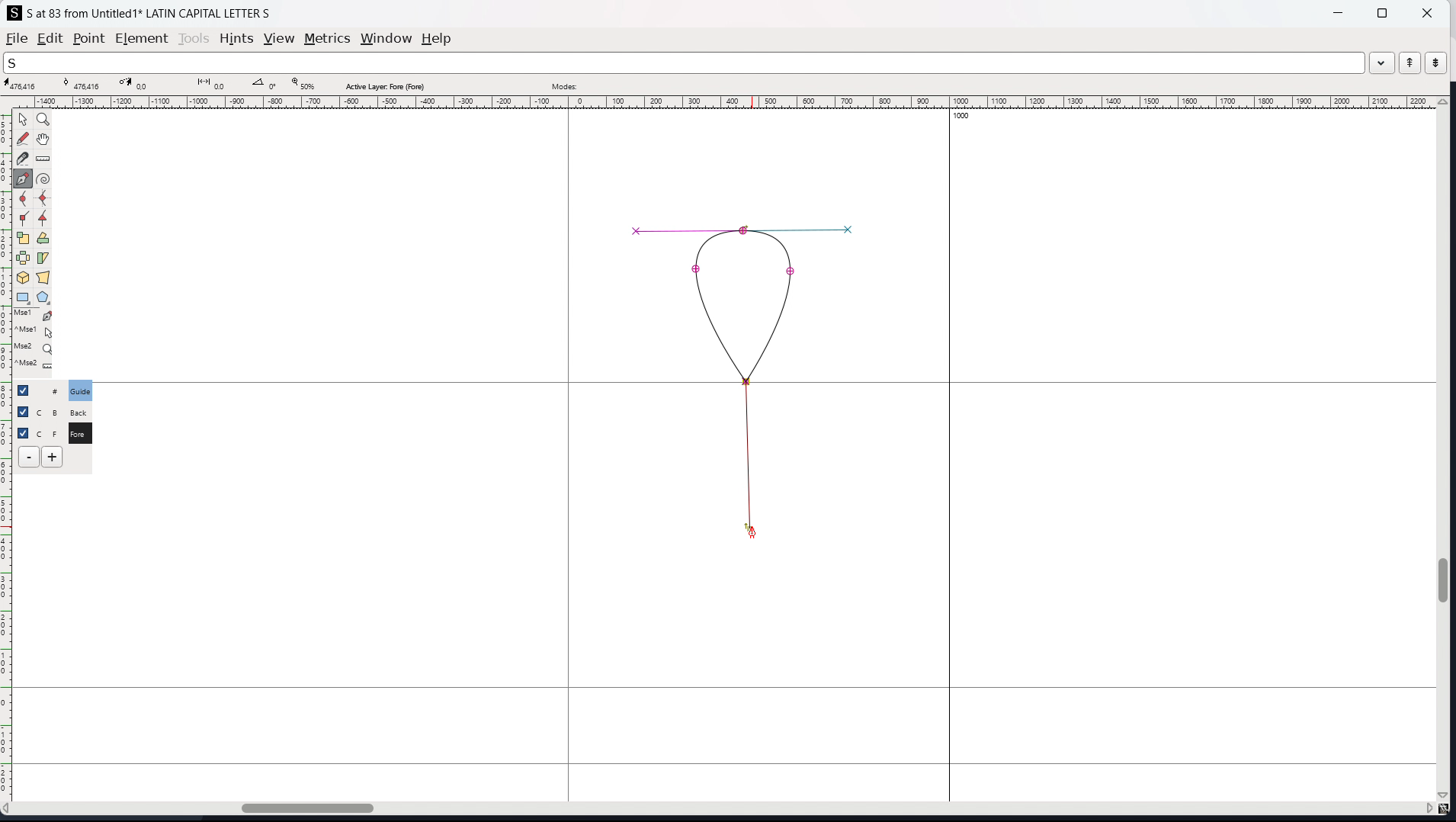  Describe the element at coordinates (684, 63) in the screenshot. I see `search  the wordlist` at that location.